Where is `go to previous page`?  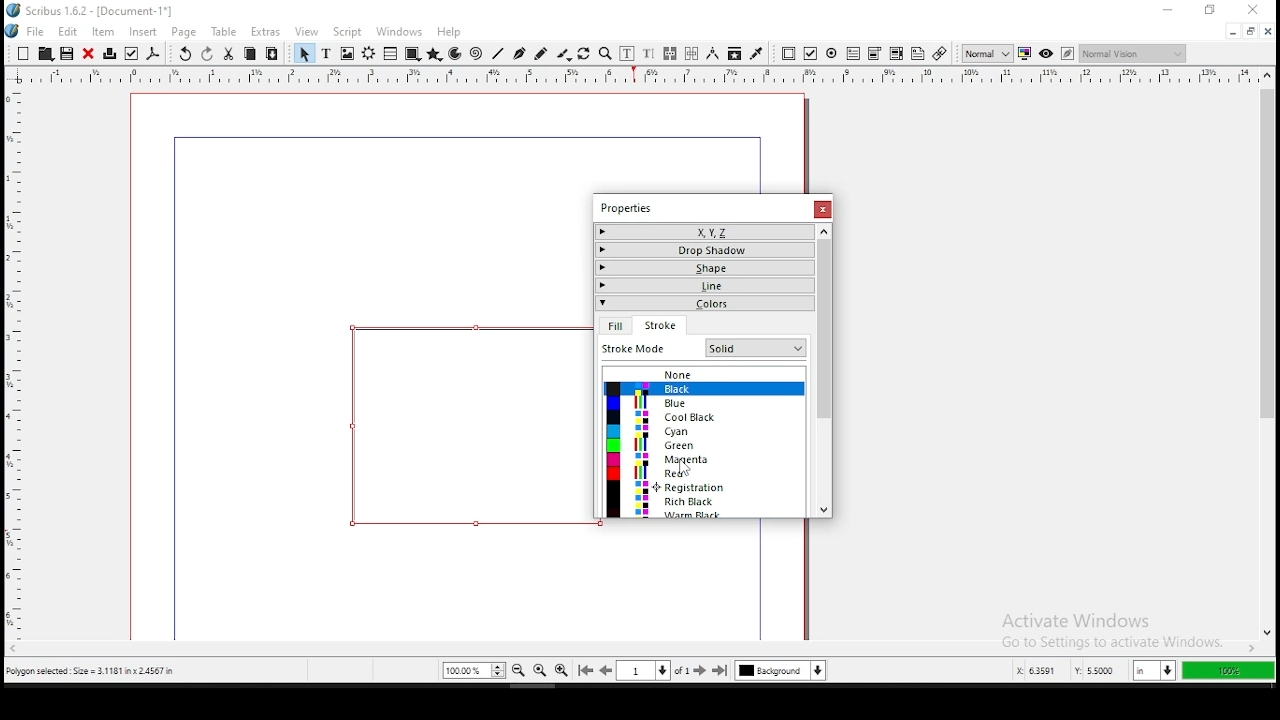
go to previous page is located at coordinates (608, 670).